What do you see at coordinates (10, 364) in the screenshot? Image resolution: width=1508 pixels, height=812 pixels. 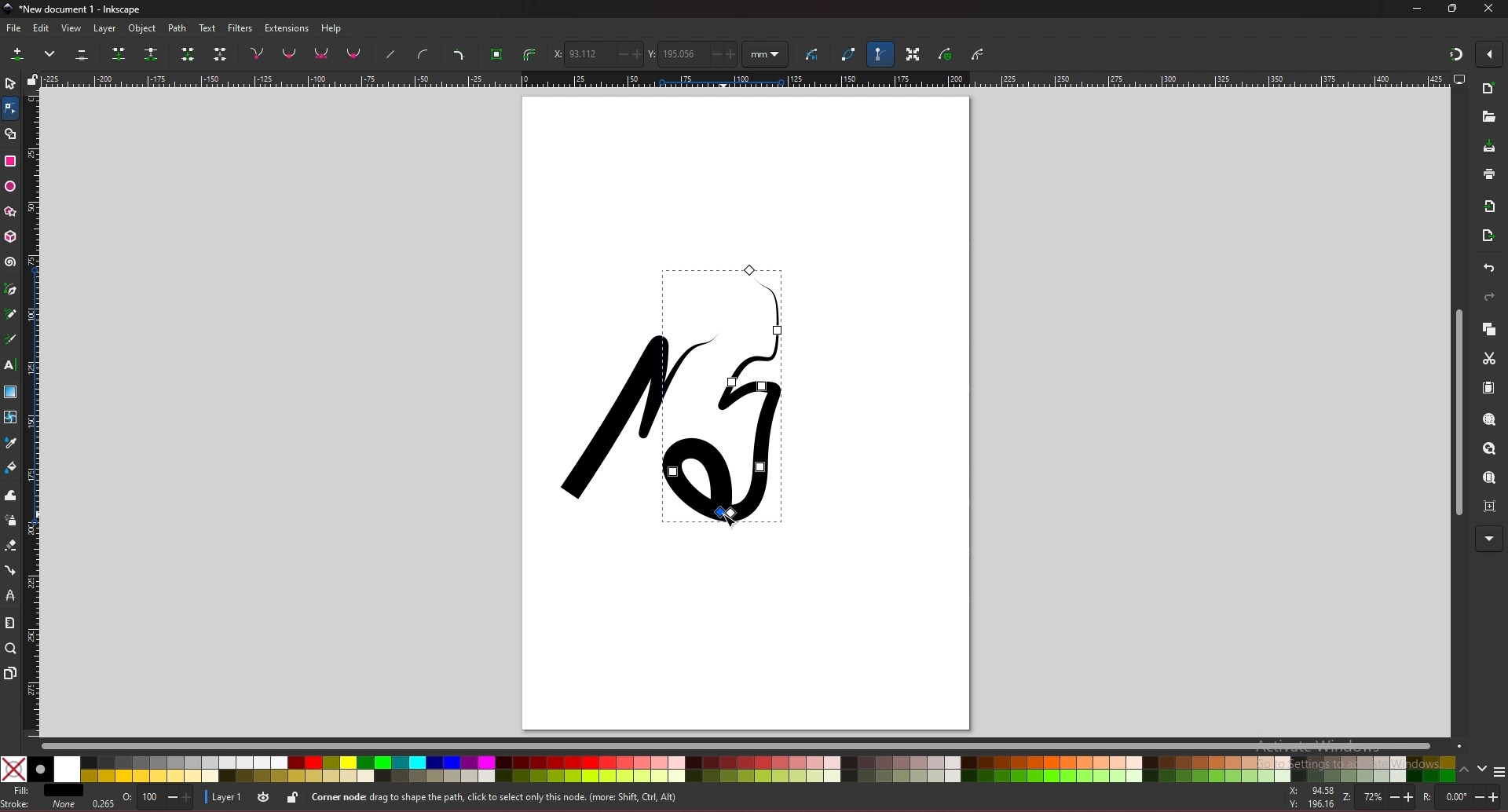 I see `text` at bounding box center [10, 364].